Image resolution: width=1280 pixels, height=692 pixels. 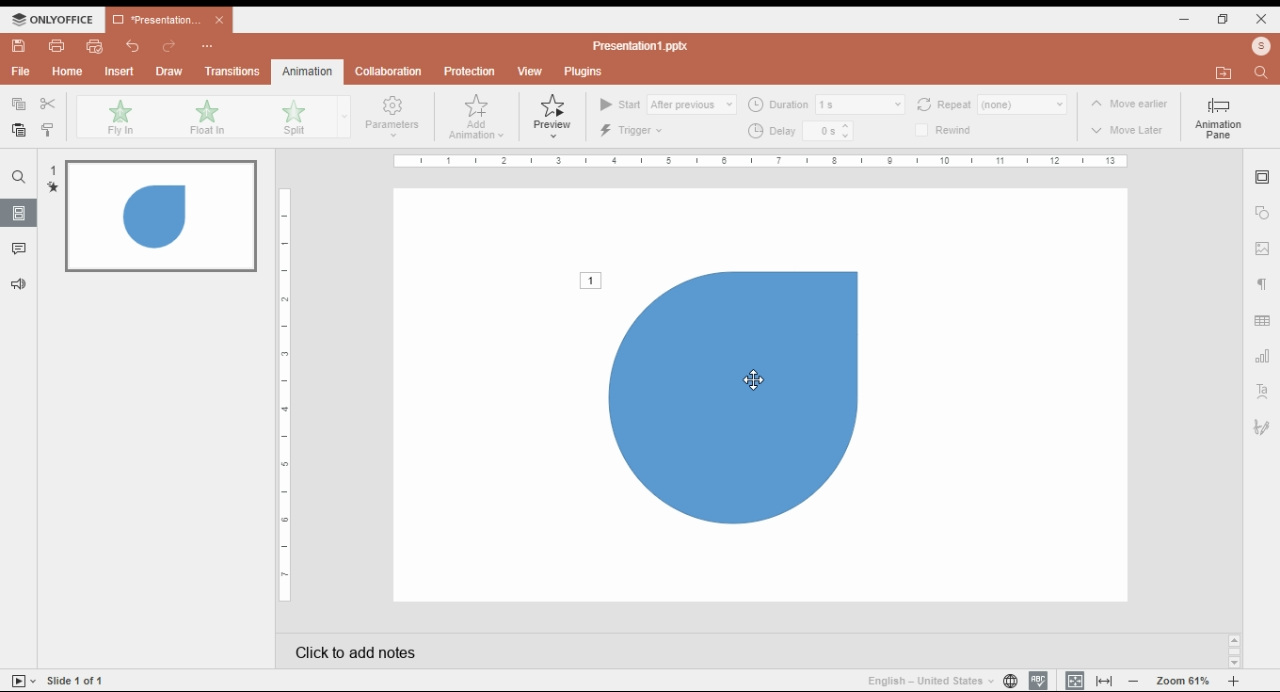 I want to click on fit to width, so click(x=1105, y=681).